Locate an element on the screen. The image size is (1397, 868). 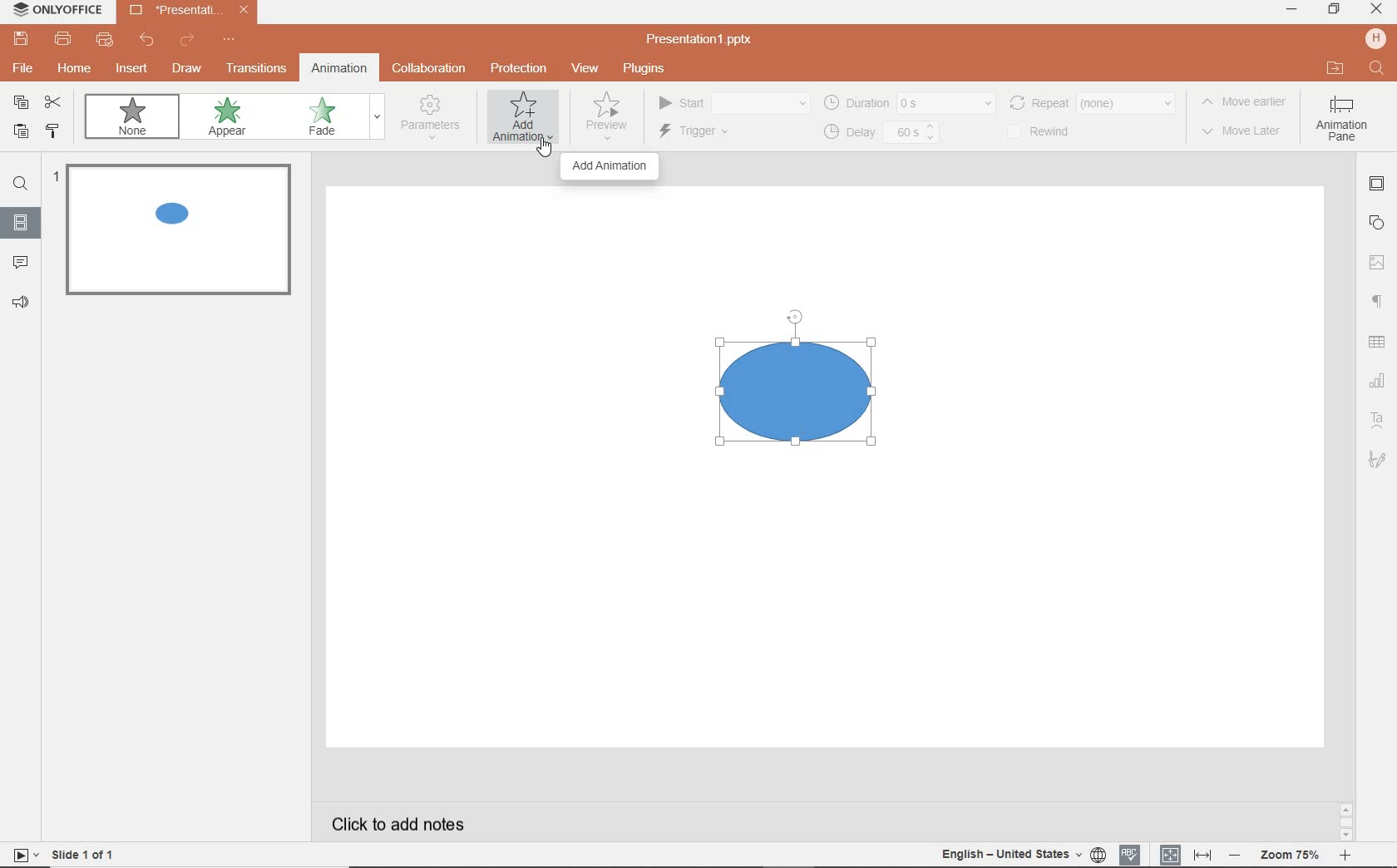
spell checking is located at coordinates (1128, 854).